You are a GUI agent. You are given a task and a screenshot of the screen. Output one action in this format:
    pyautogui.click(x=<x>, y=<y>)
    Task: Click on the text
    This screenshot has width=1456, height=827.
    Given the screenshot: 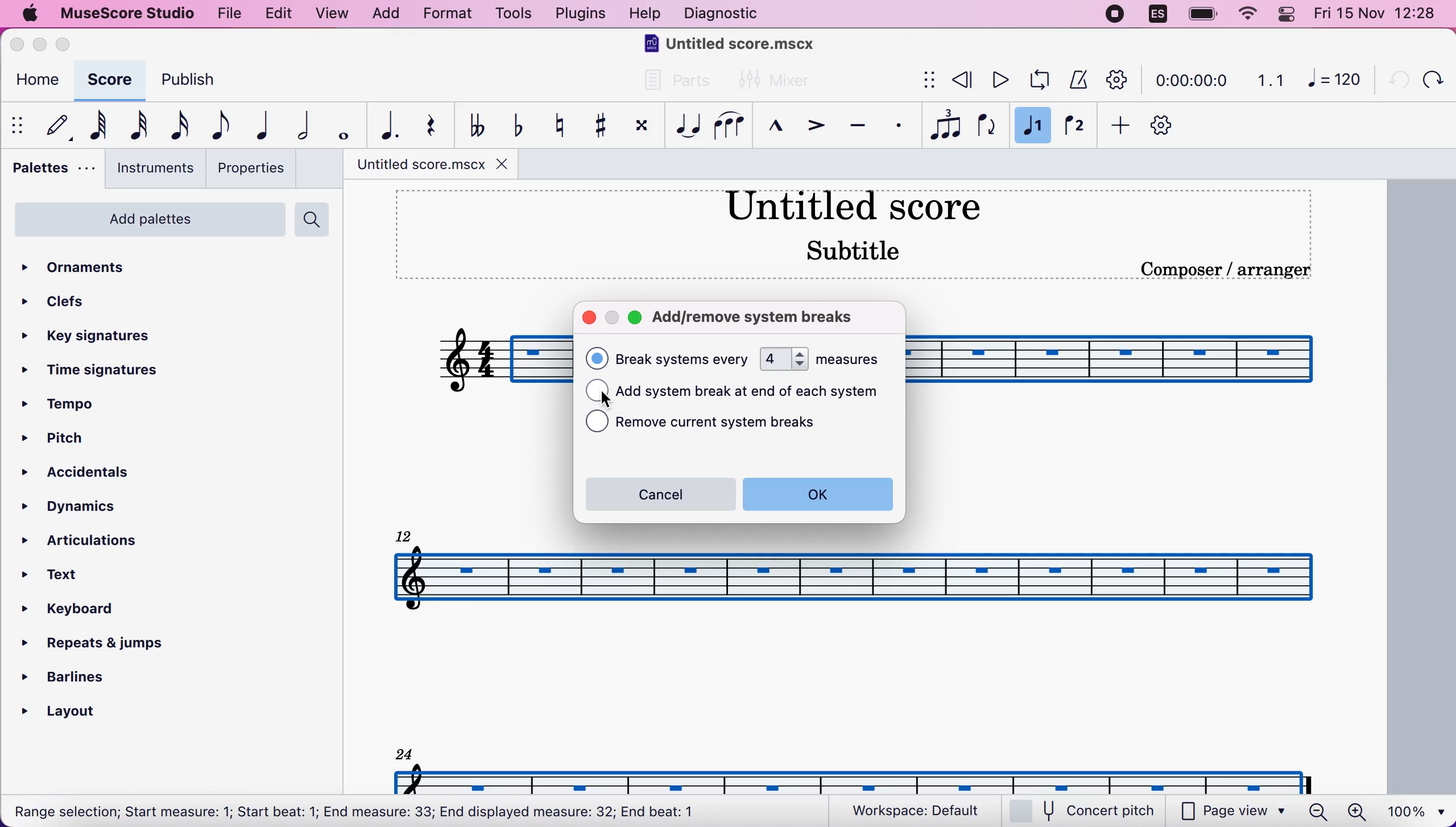 What is the action you would take?
    pyautogui.click(x=684, y=359)
    